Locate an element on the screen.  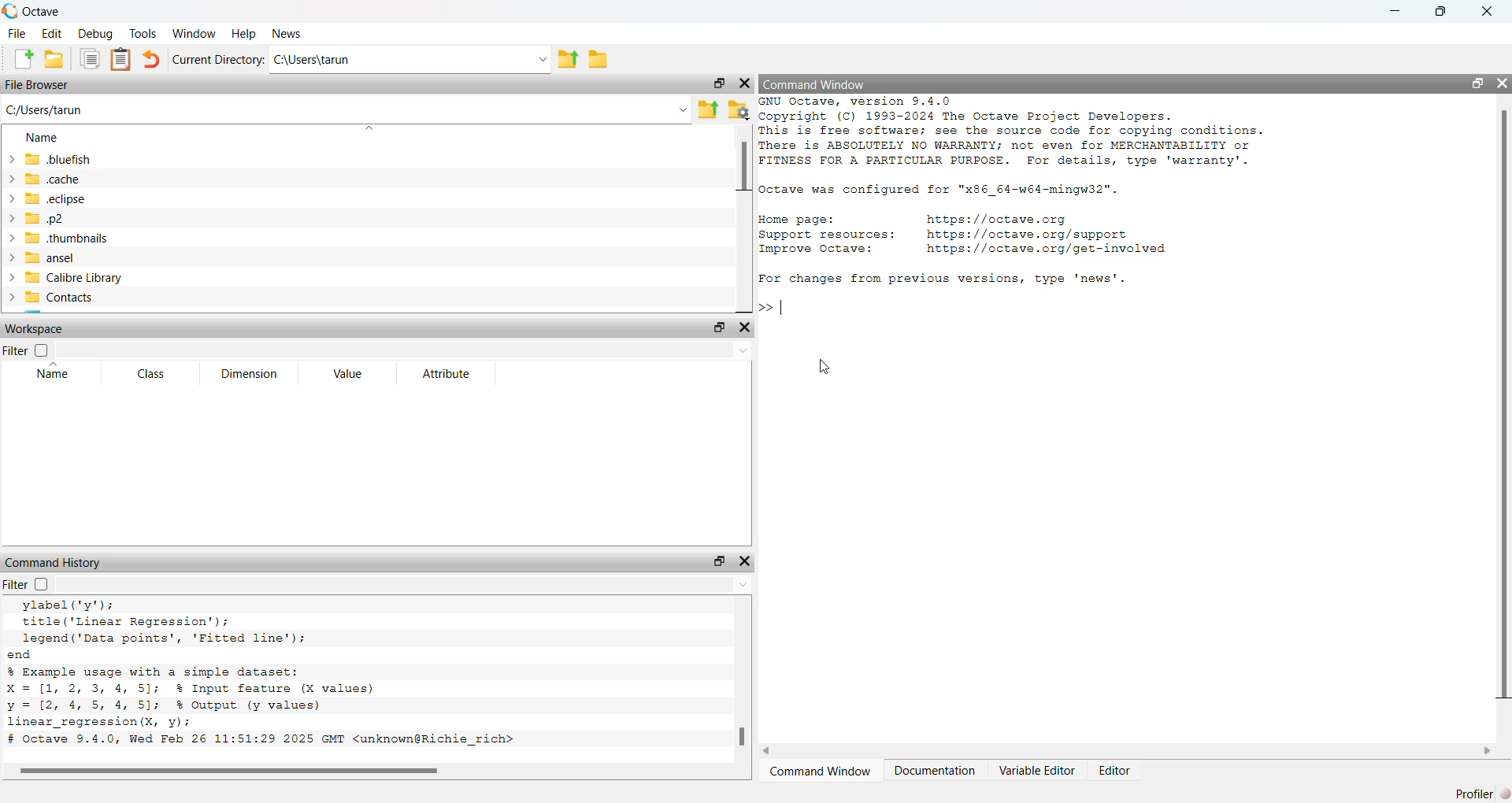
workspace is located at coordinates (43, 327).